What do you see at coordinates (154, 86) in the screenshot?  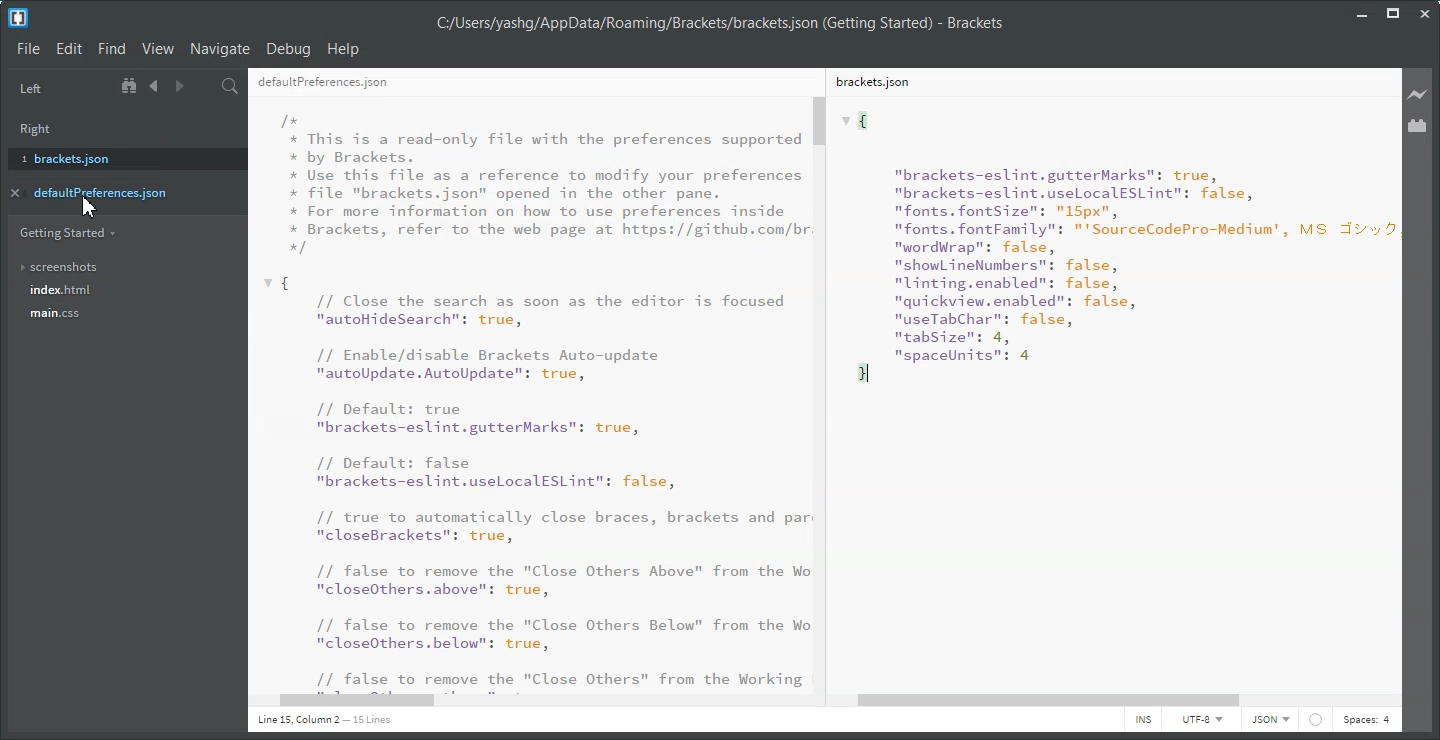 I see `Navigate Backward` at bounding box center [154, 86].